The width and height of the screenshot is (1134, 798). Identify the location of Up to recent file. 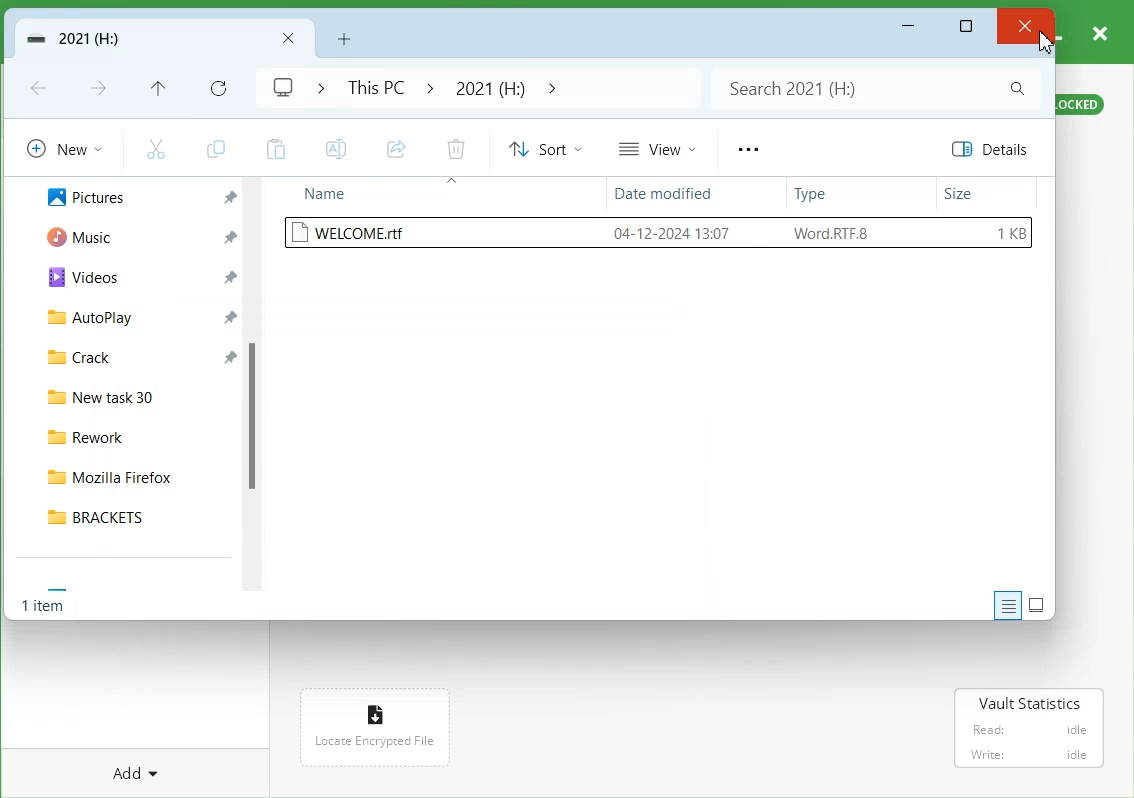
(157, 88).